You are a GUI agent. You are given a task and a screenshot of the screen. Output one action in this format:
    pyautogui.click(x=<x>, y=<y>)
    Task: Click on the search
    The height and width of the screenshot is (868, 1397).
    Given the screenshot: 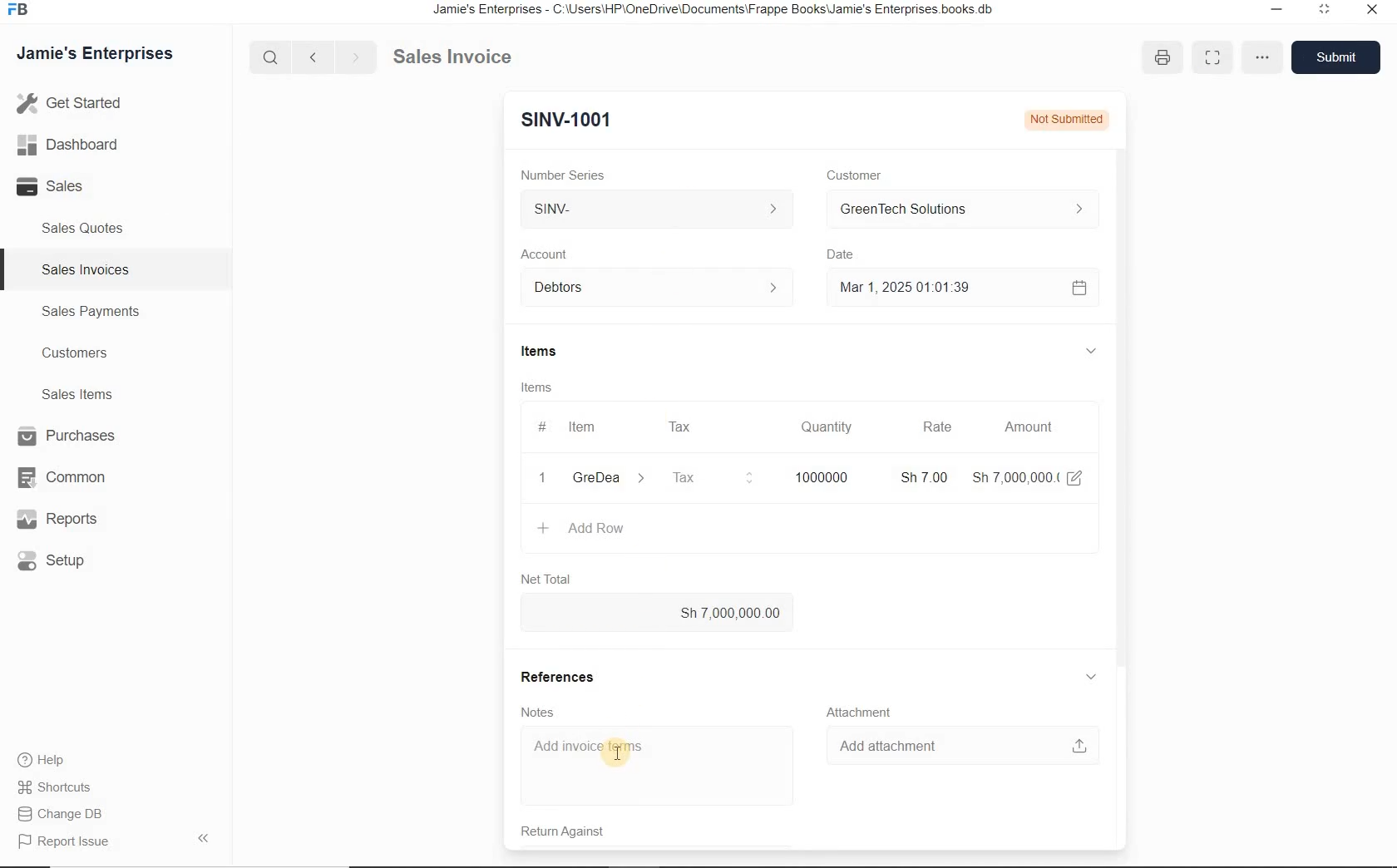 What is the action you would take?
    pyautogui.click(x=274, y=57)
    